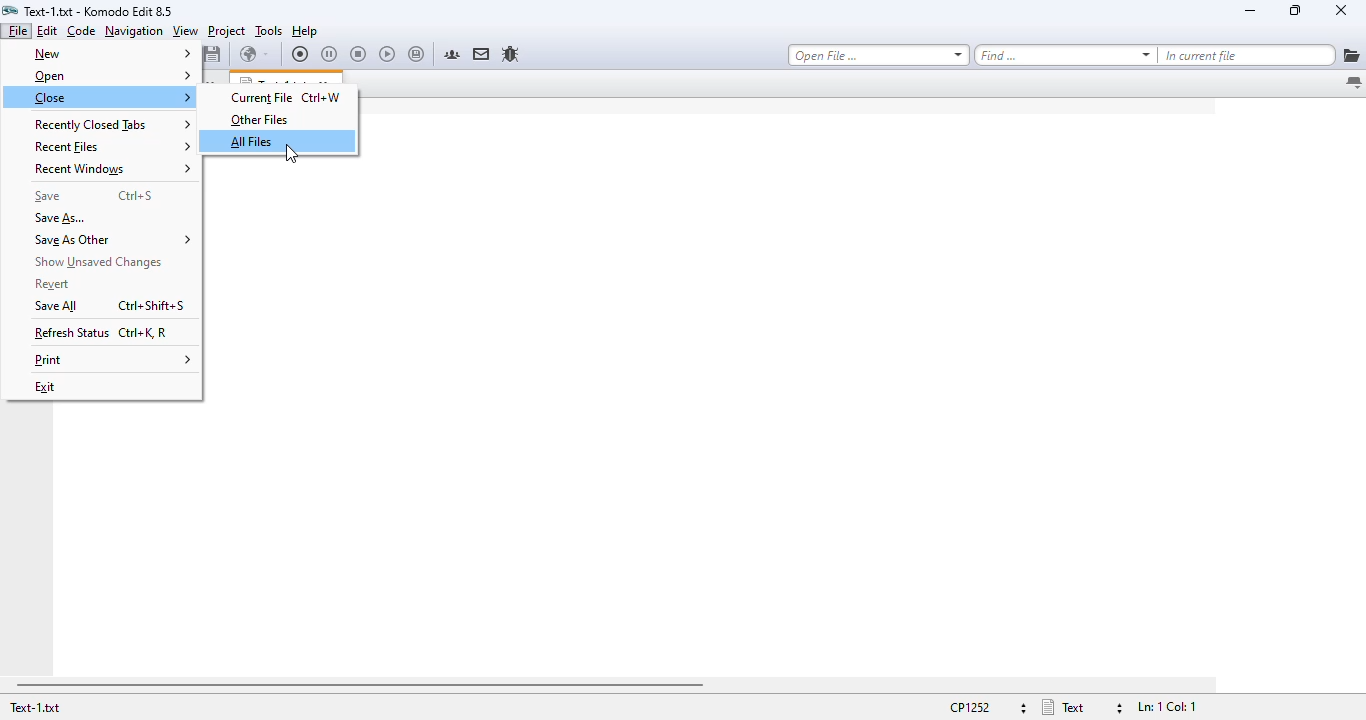  I want to click on close, so click(112, 97).